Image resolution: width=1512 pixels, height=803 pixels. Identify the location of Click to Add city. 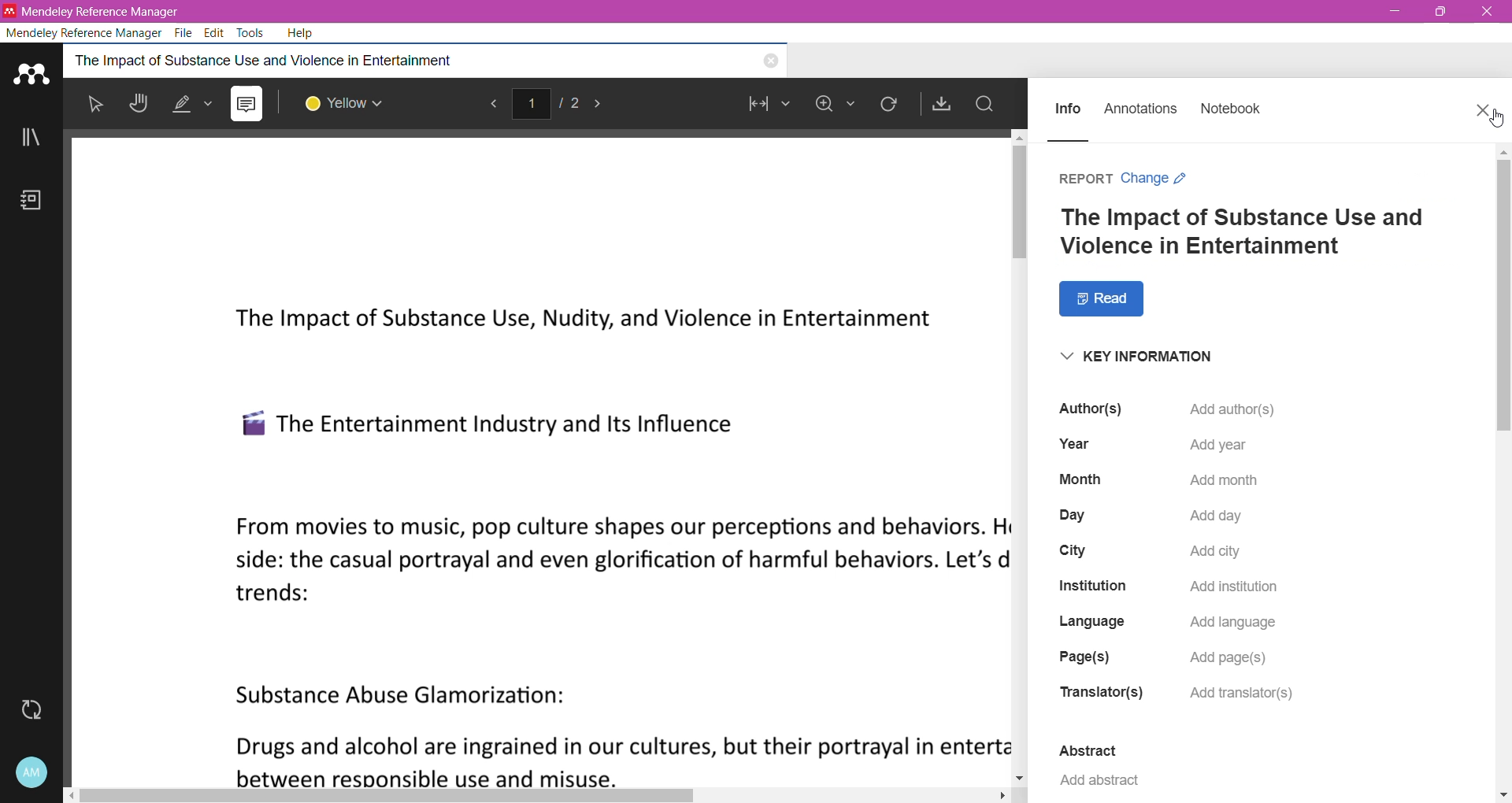
(1218, 554).